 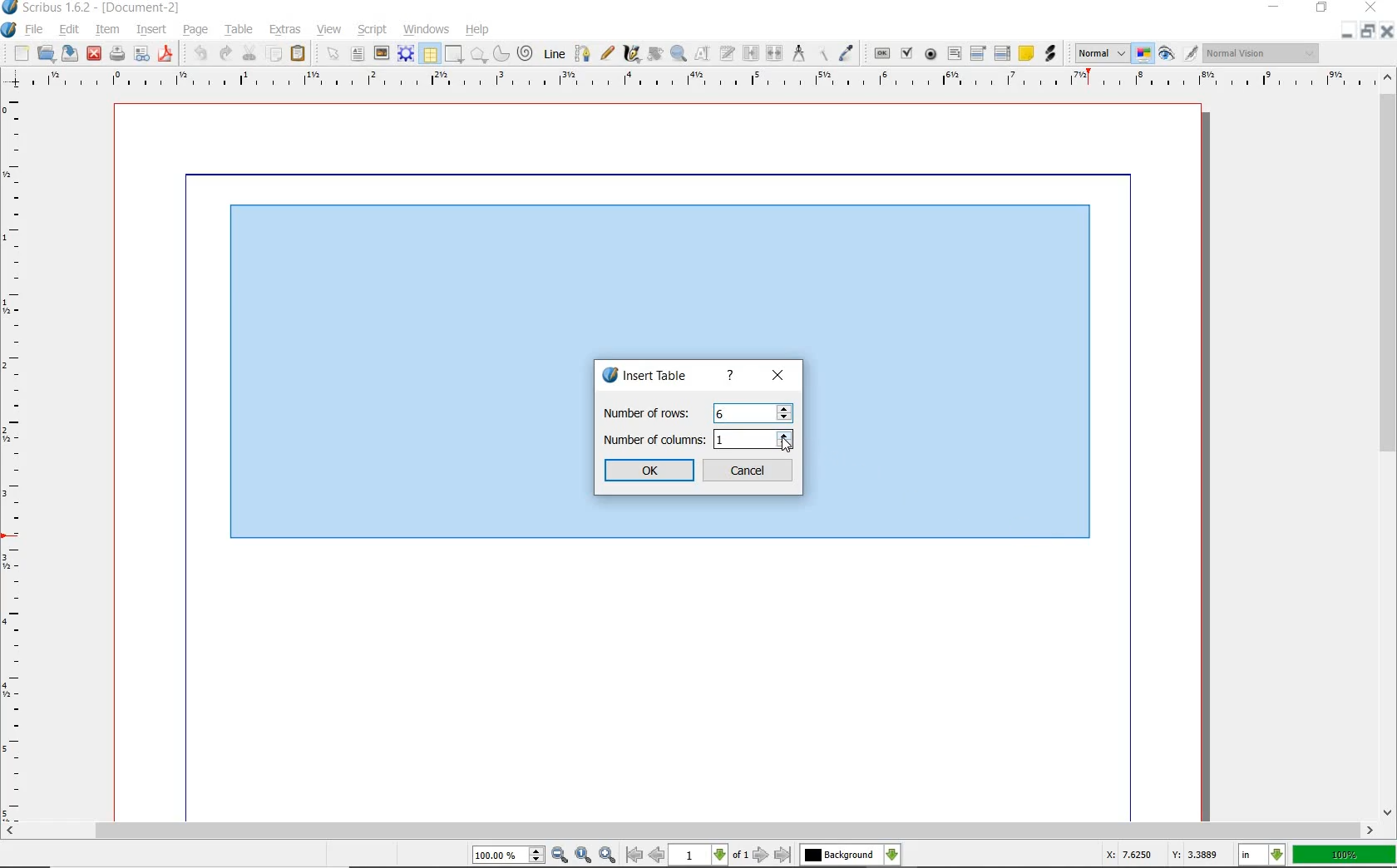 What do you see at coordinates (787, 446) in the screenshot?
I see `cursor` at bounding box center [787, 446].